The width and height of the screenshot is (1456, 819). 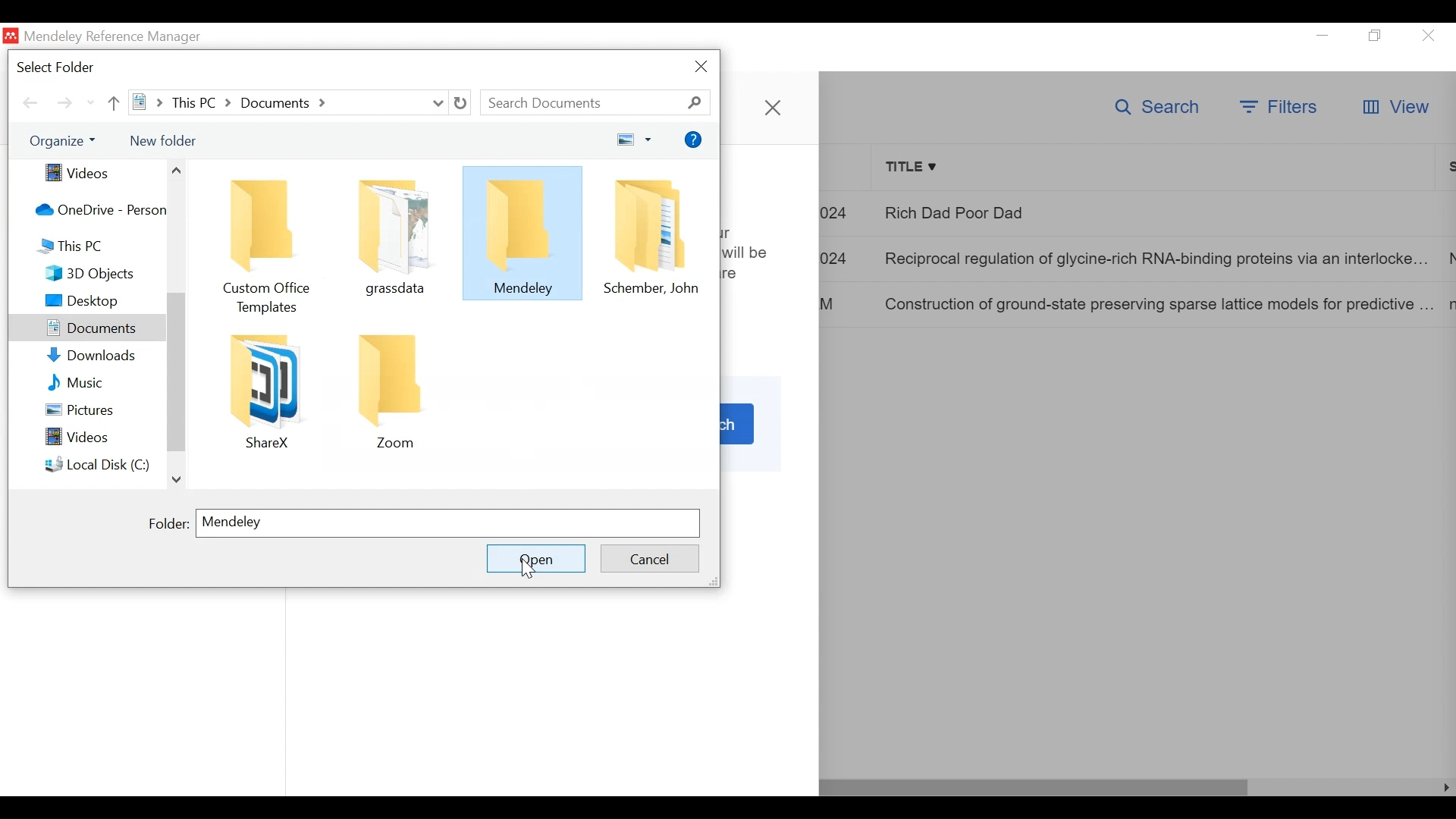 I want to click on Scroll down, so click(x=178, y=482).